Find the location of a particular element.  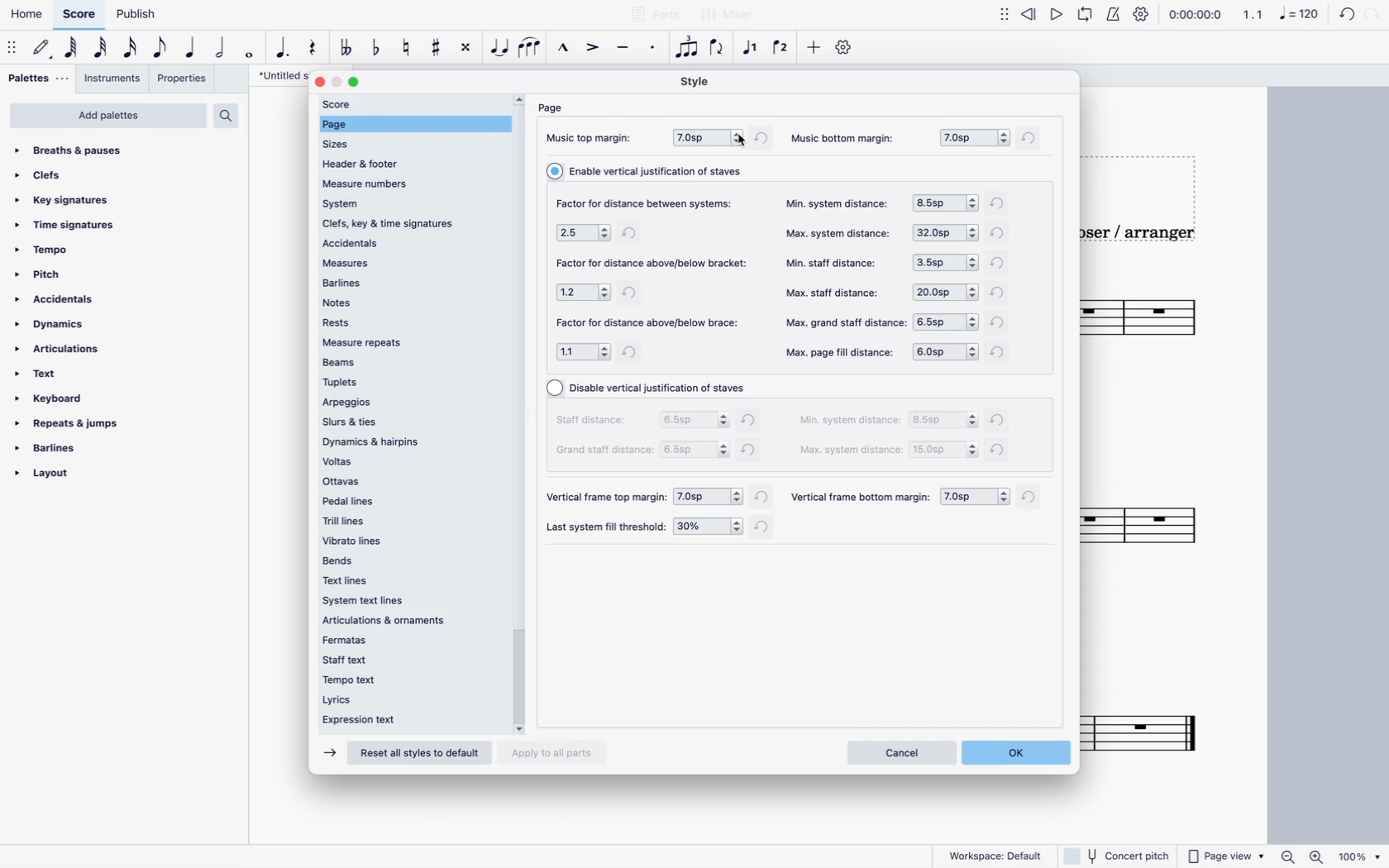

top margin is located at coordinates (706, 137).